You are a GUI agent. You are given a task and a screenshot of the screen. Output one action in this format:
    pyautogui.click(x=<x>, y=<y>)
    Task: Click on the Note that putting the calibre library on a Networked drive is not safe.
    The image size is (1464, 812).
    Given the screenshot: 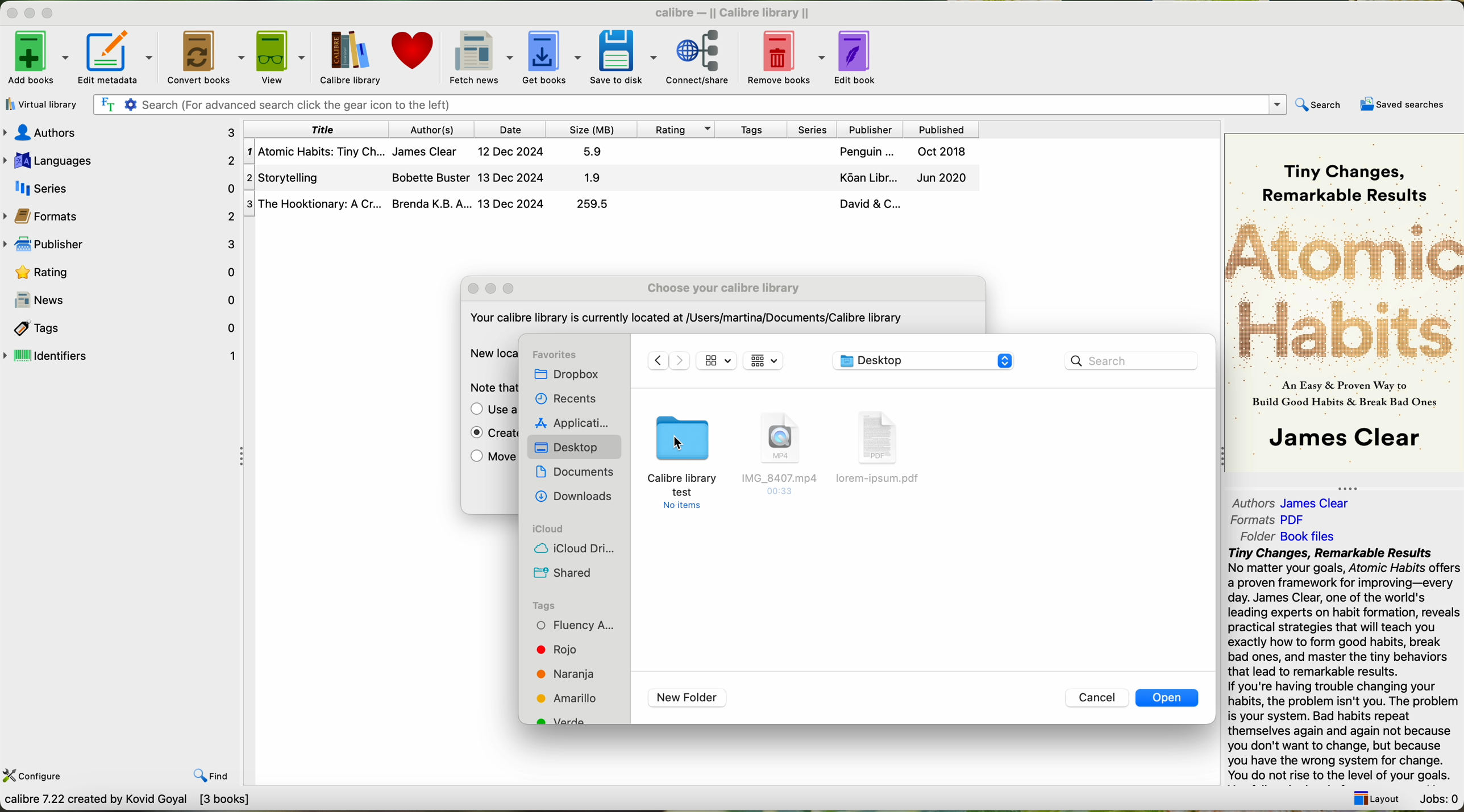 What is the action you would take?
    pyautogui.click(x=489, y=388)
    